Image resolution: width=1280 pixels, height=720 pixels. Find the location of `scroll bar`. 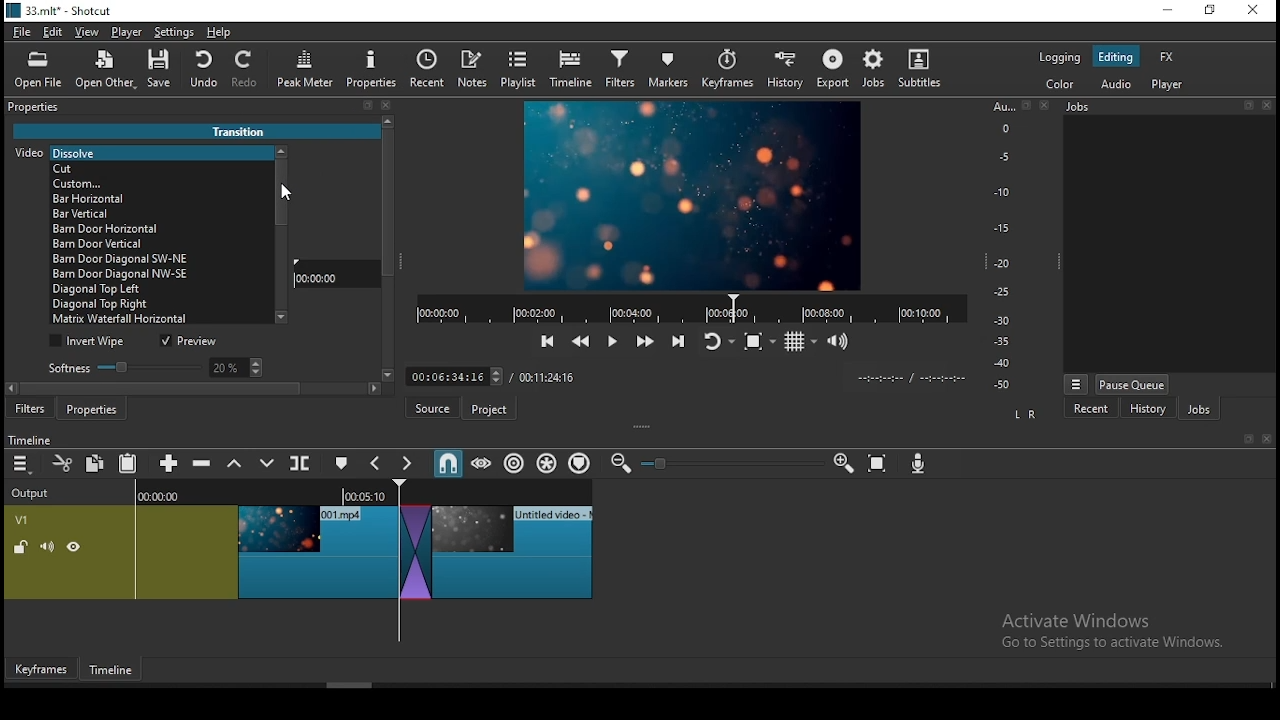

scroll bar is located at coordinates (388, 255).